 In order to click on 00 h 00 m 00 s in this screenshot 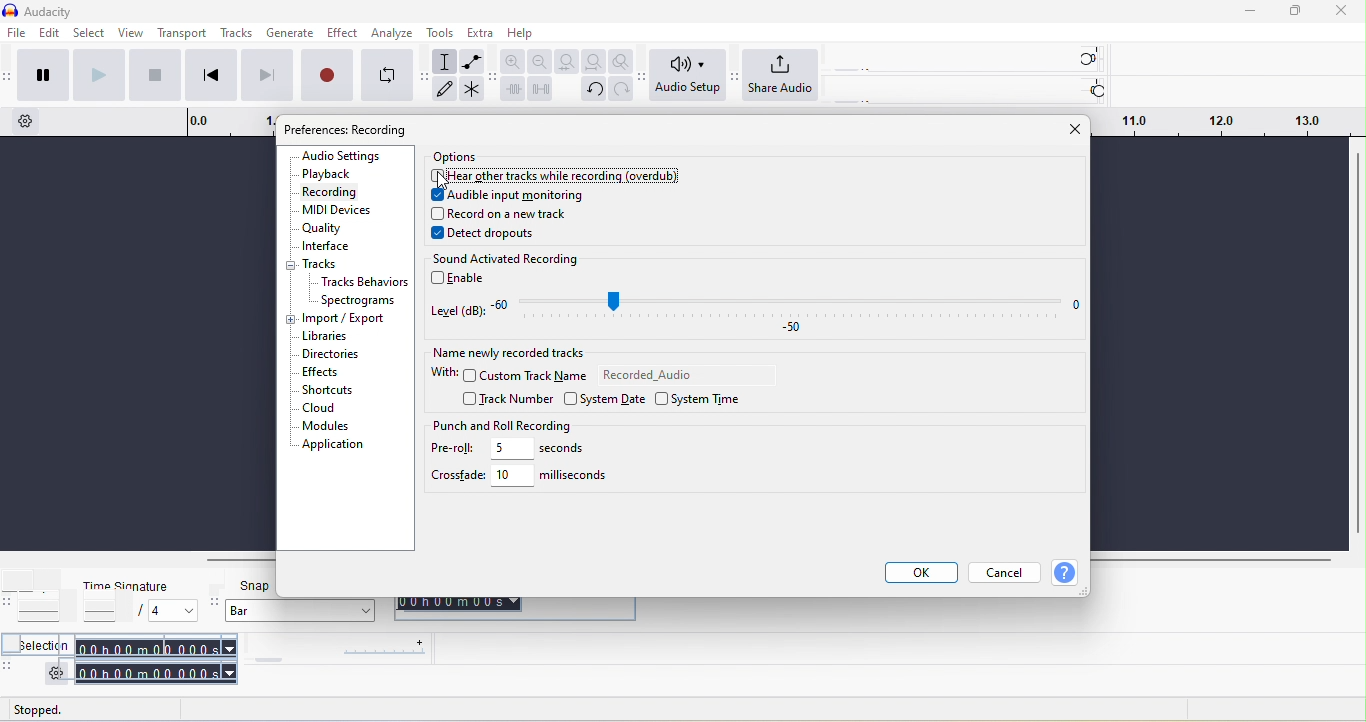, I will do `click(520, 610)`.